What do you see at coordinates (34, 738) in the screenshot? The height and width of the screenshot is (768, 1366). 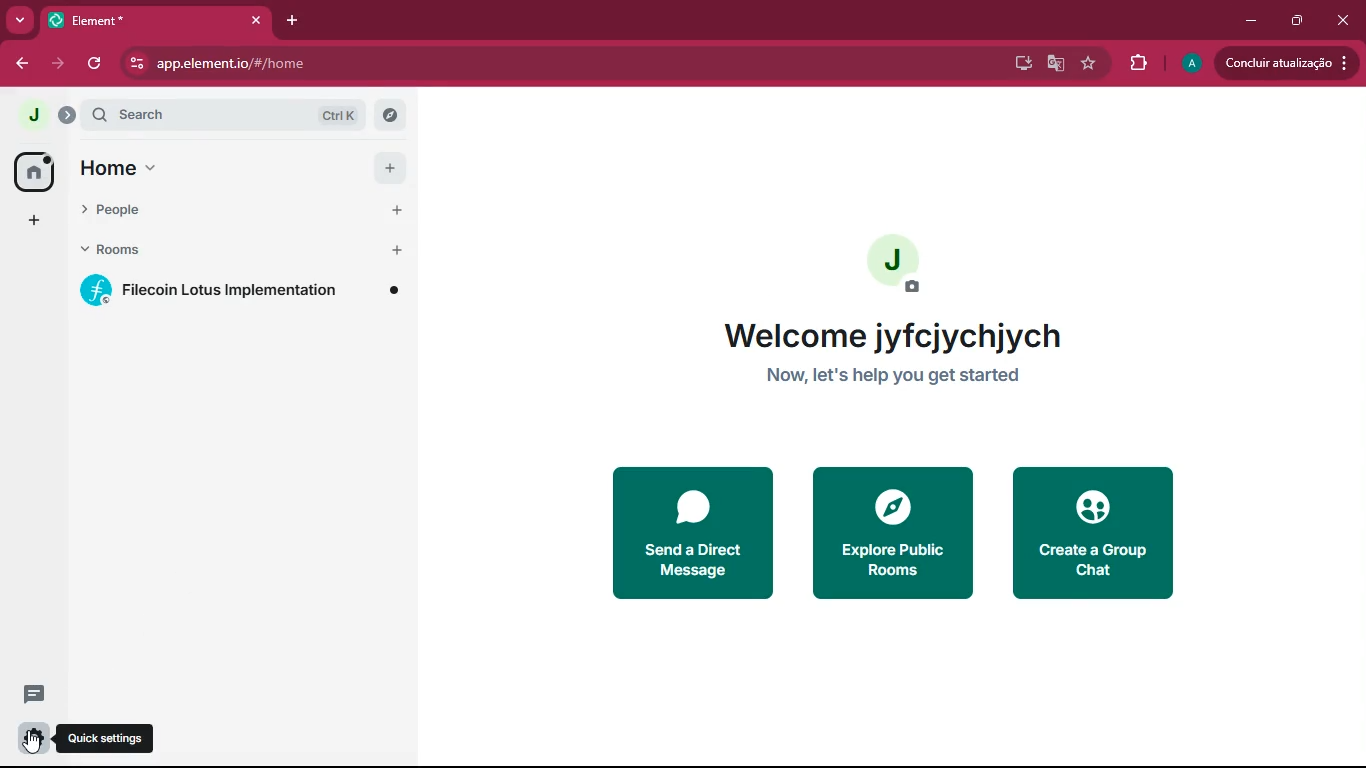 I see `quick settings` at bounding box center [34, 738].